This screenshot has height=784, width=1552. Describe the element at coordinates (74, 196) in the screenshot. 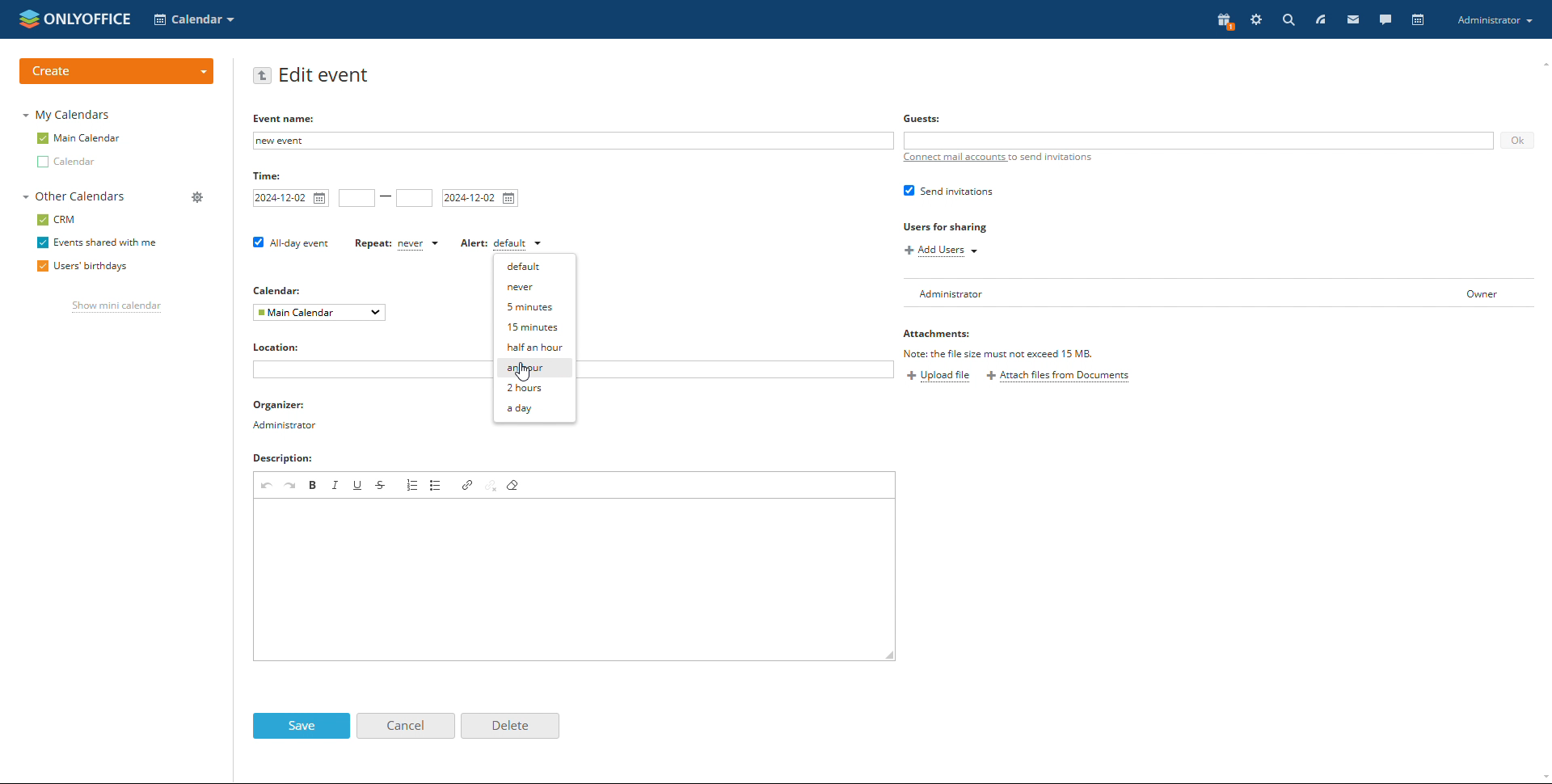

I see `other calendars` at that location.